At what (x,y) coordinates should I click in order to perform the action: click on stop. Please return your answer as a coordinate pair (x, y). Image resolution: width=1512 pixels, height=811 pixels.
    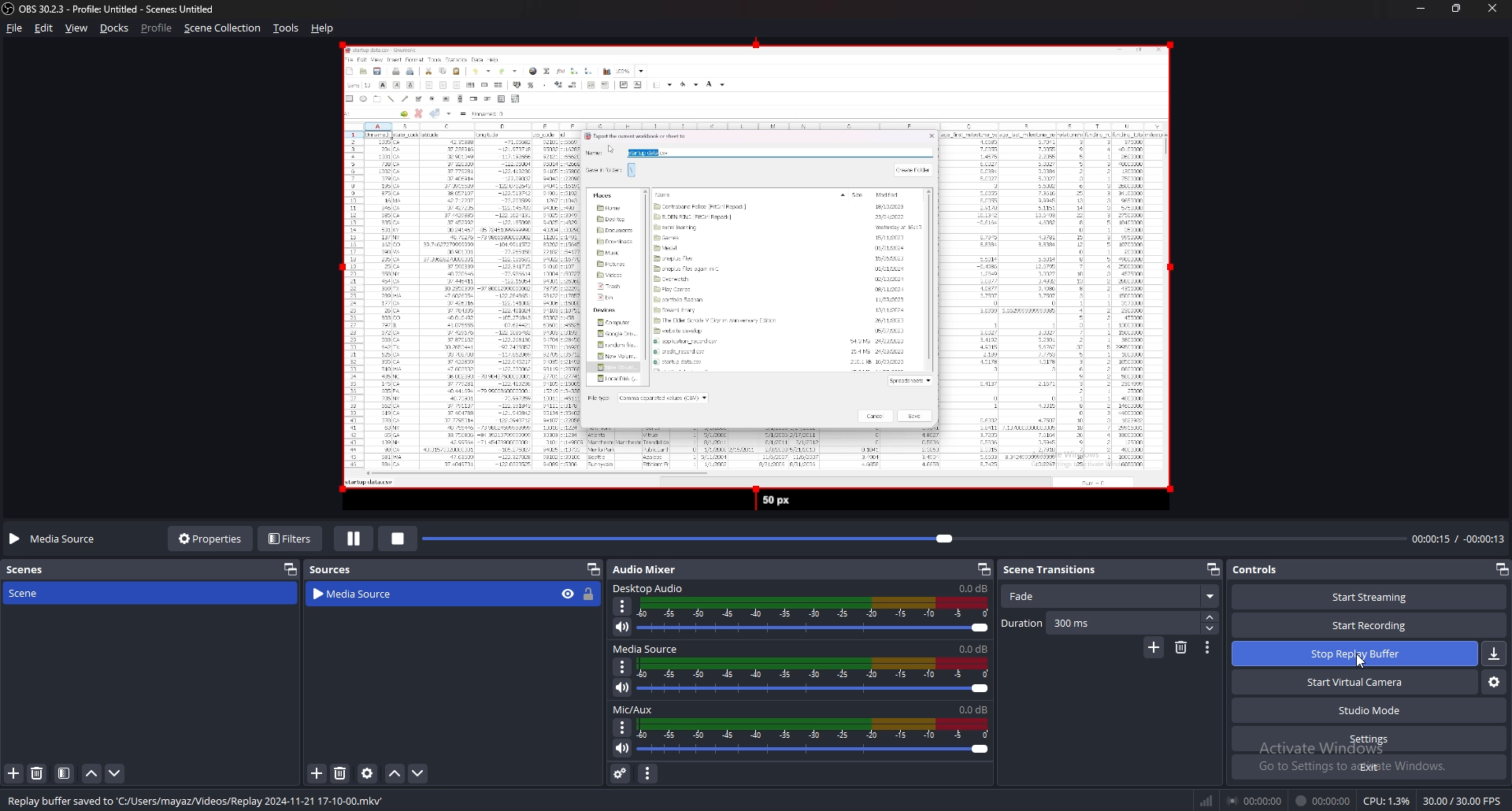
    Looking at the image, I should click on (398, 539).